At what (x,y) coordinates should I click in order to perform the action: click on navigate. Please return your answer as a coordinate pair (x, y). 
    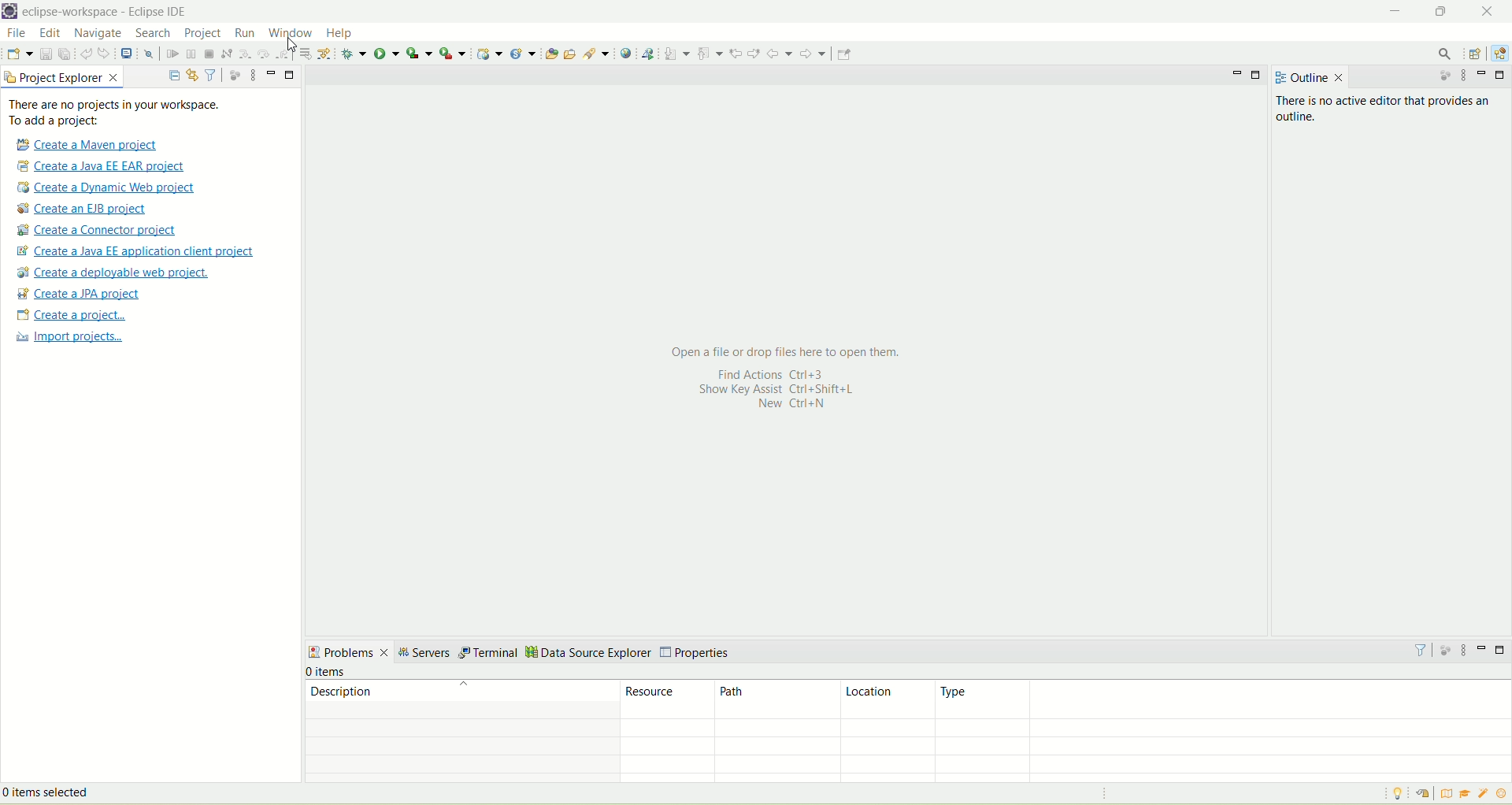
    Looking at the image, I should click on (98, 35).